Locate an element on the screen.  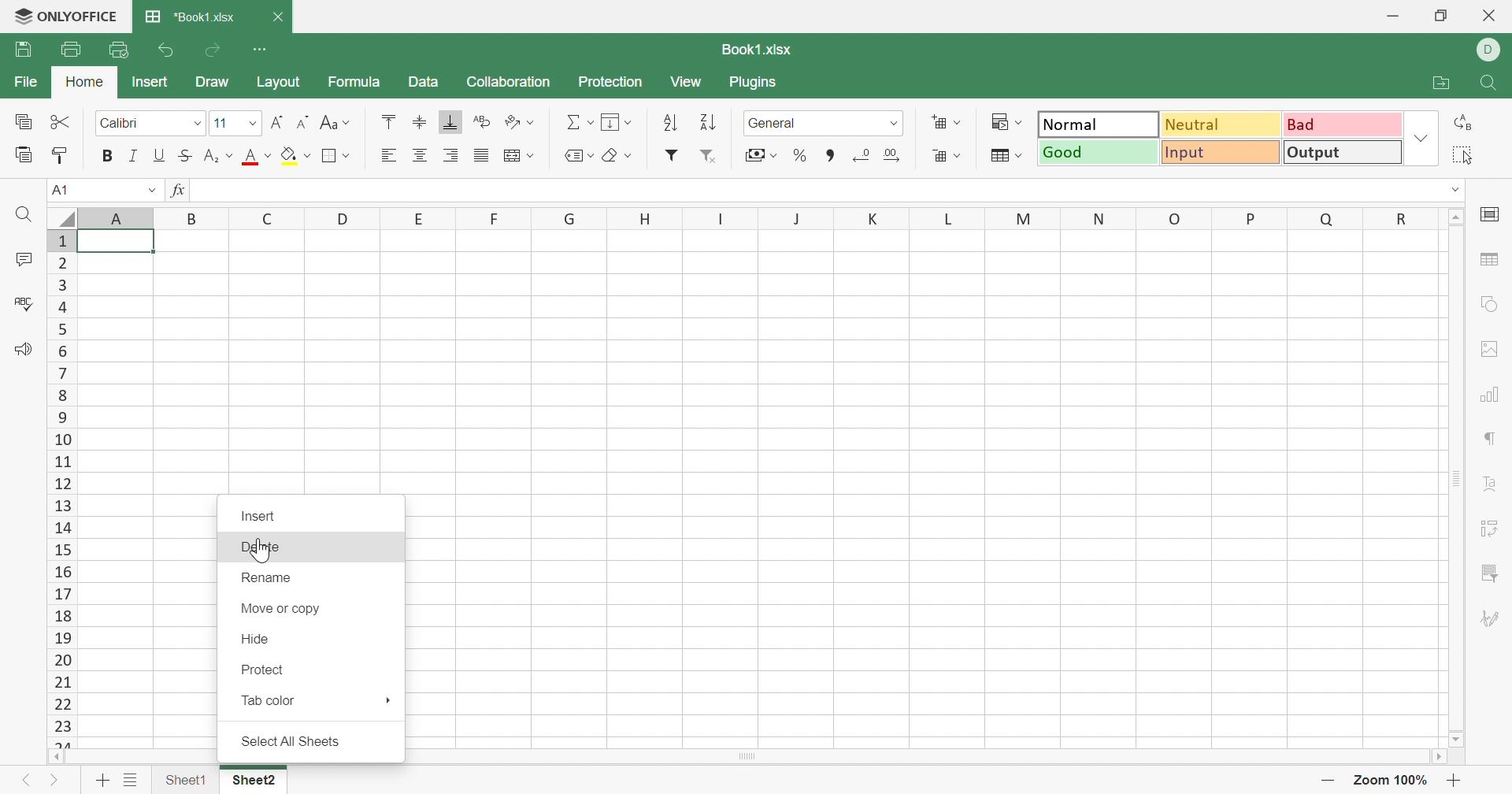
Italic is located at coordinates (135, 154).